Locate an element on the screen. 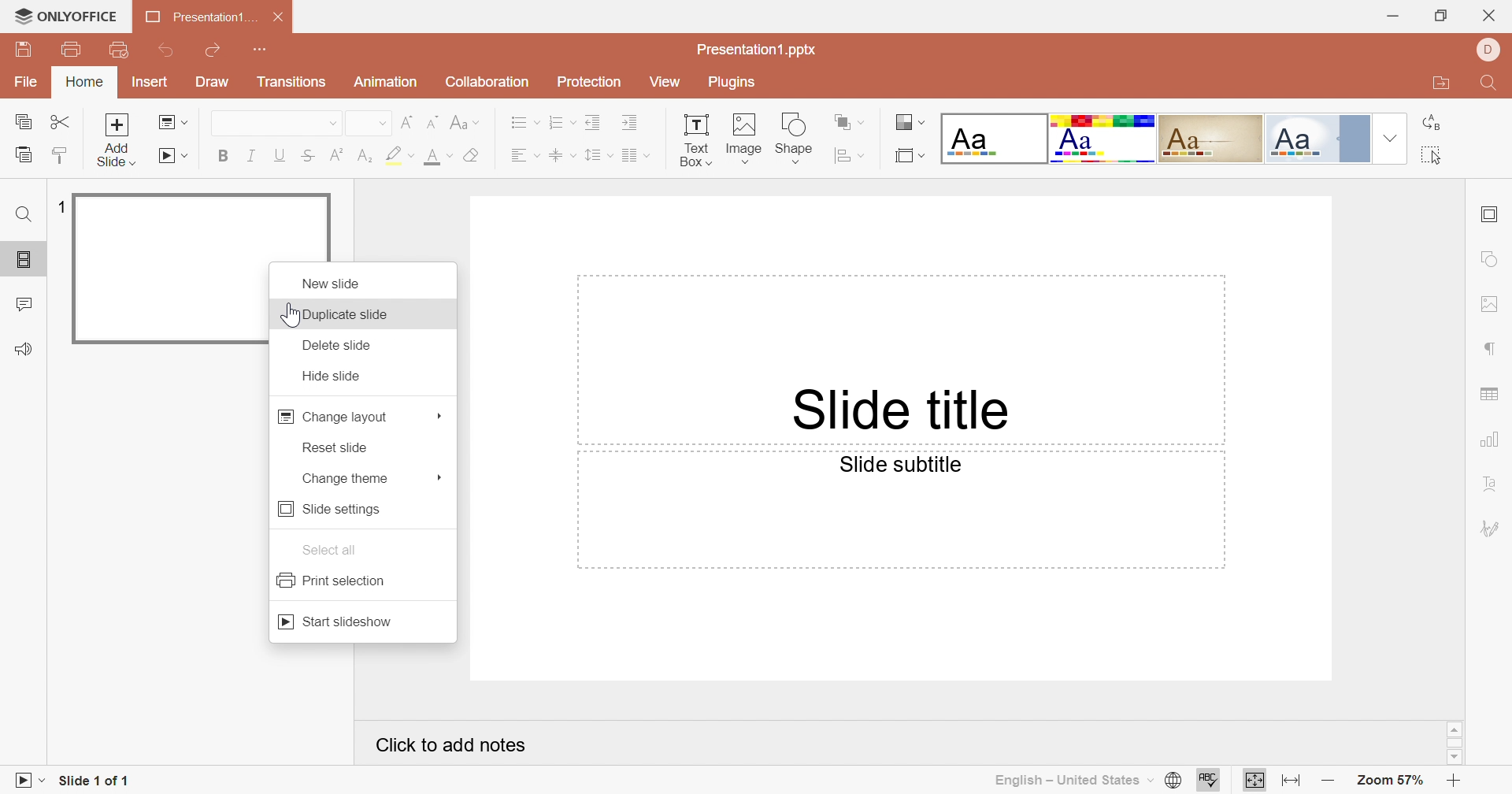 This screenshot has height=794, width=1512. Textbox is located at coordinates (697, 141).